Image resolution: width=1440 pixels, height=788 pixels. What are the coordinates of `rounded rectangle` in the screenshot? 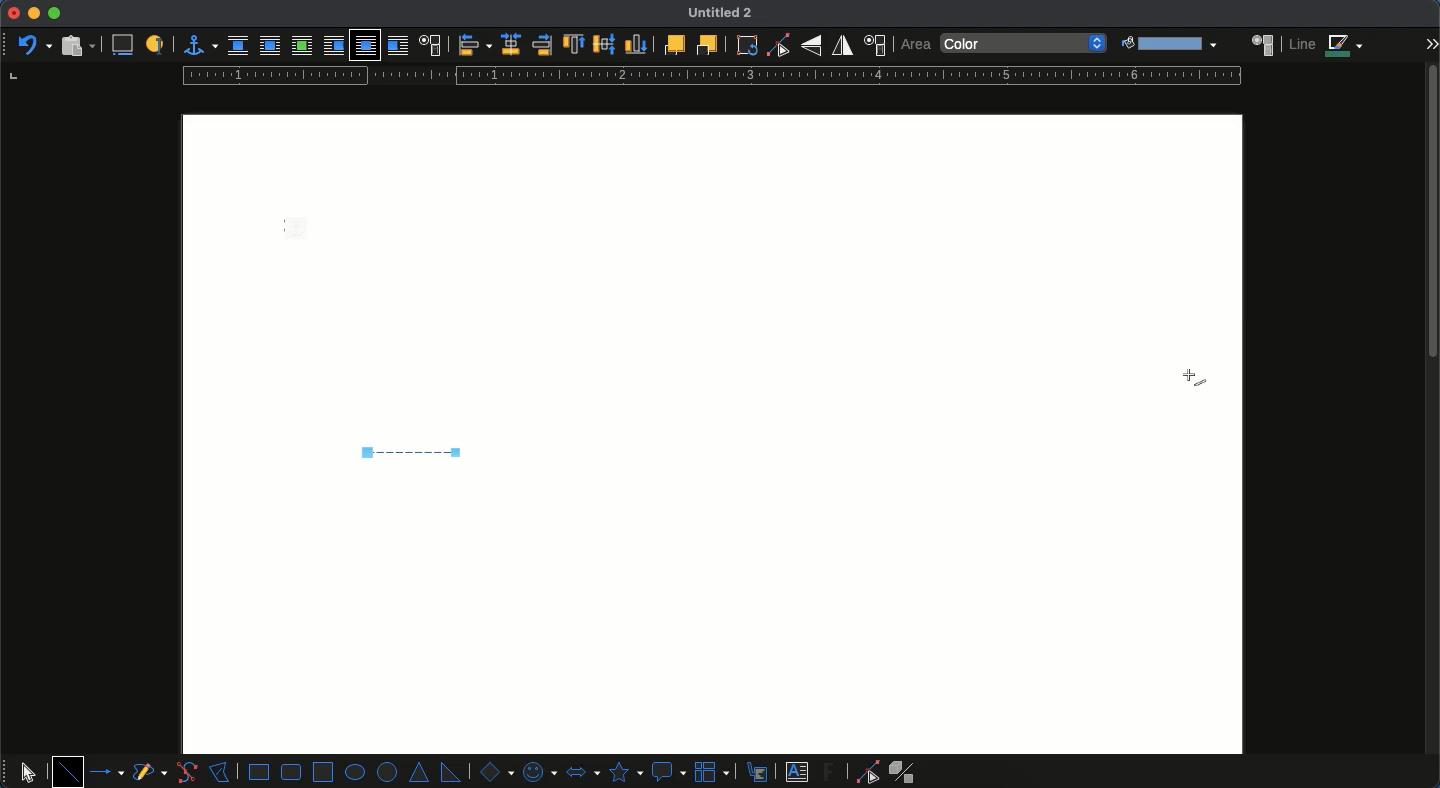 It's located at (292, 772).